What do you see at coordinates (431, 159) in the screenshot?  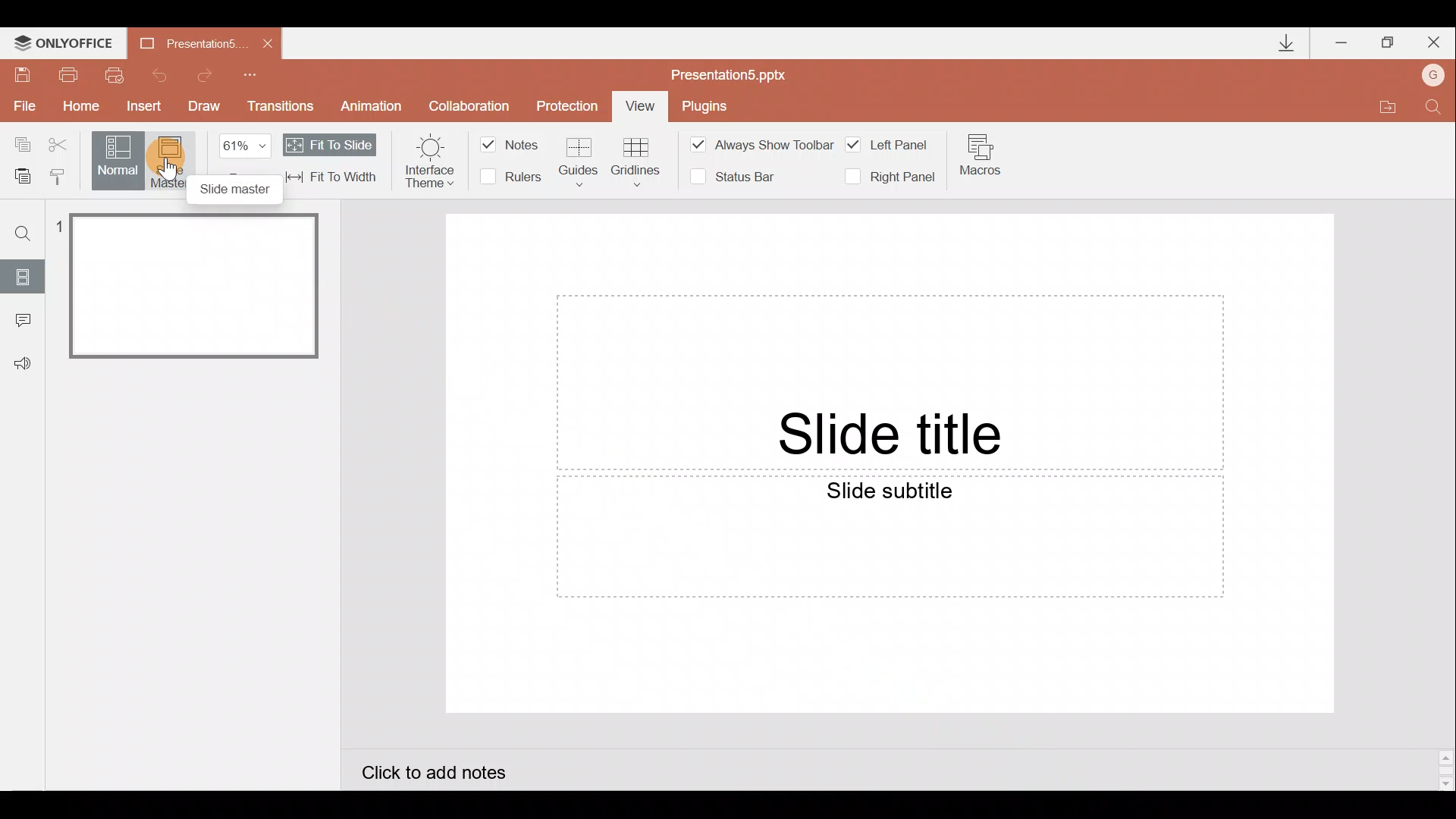 I see `Interface theme` at bounding box center [431, 159].